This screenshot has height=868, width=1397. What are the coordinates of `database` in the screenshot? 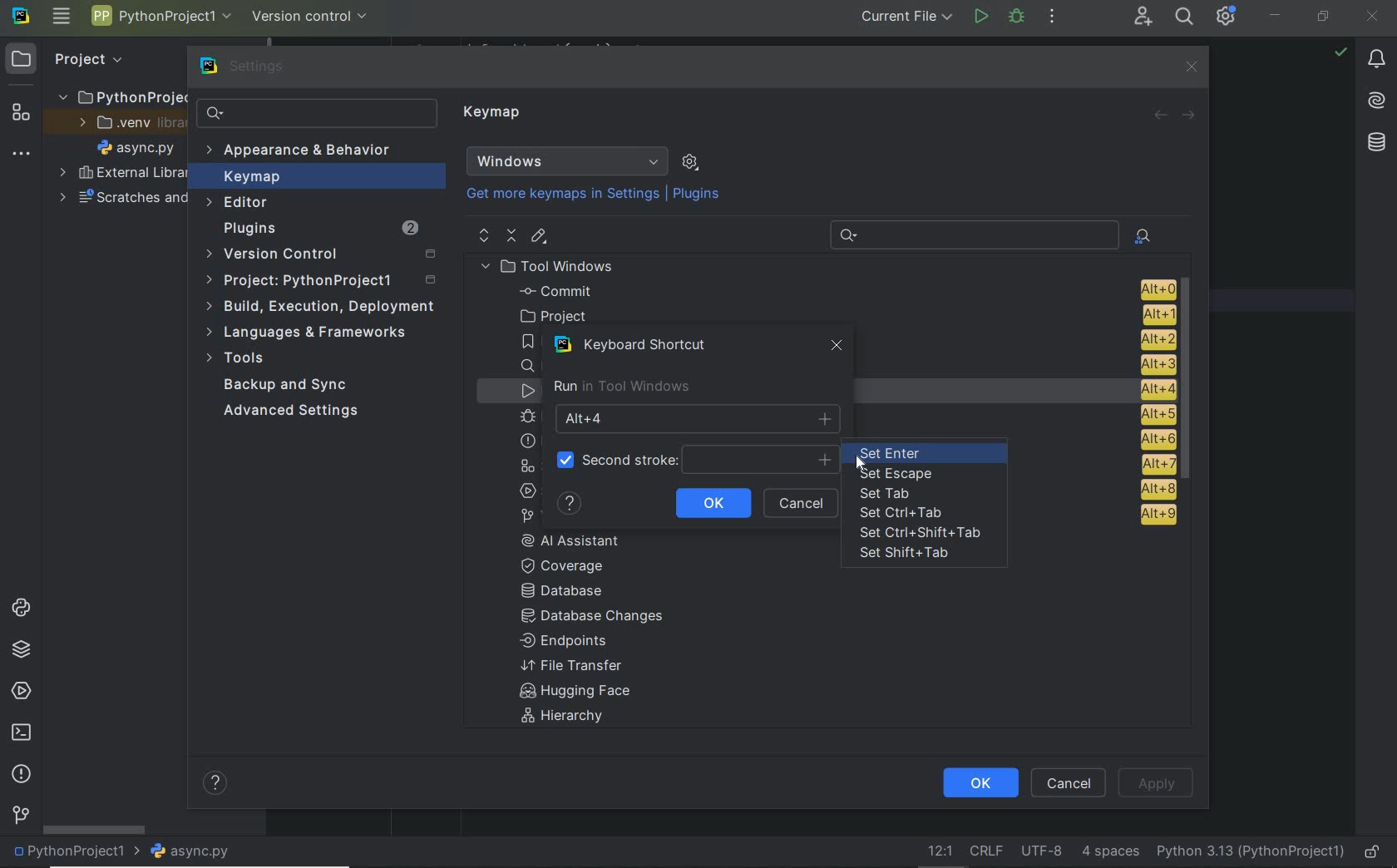 It's located at (1375, 142).